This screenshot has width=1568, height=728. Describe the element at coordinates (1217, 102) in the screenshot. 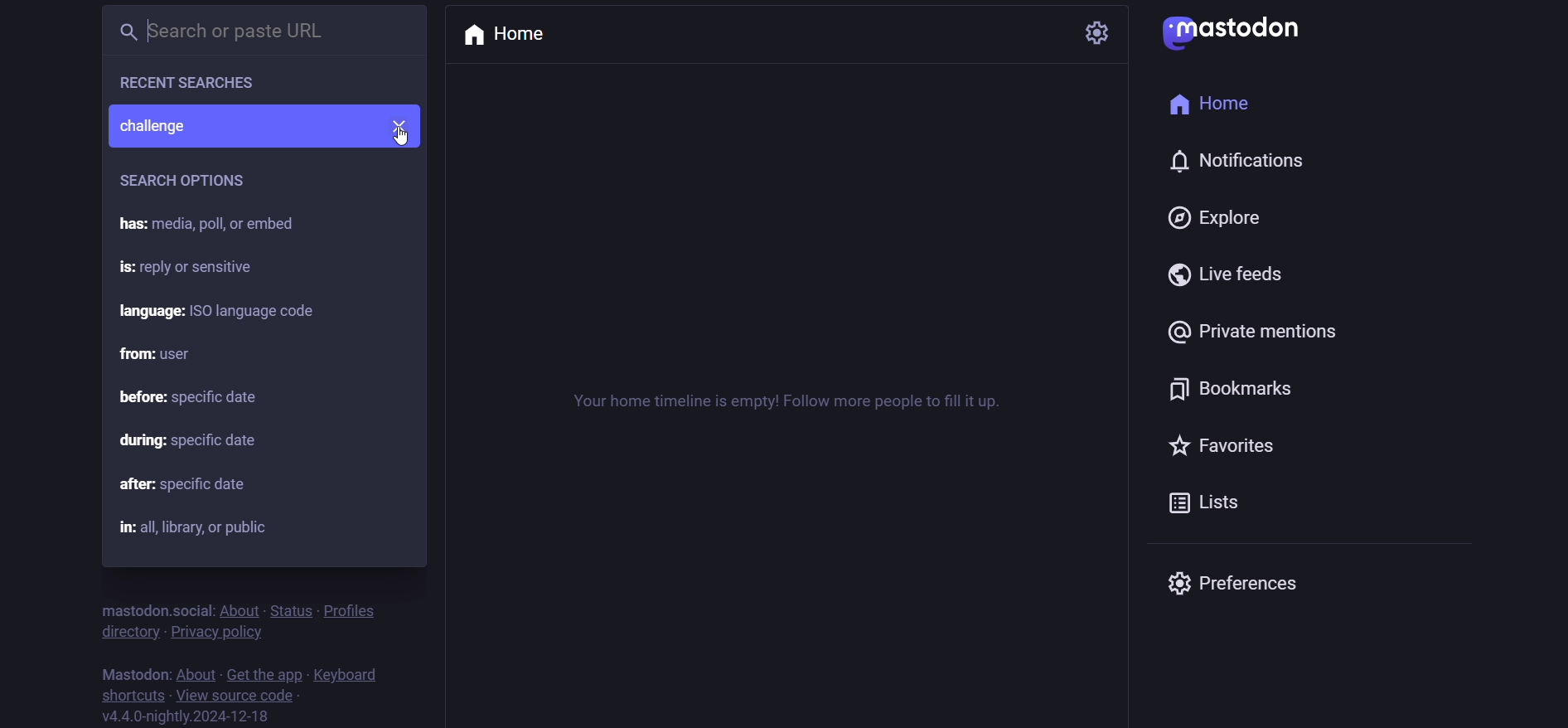

I see `home` at that location.